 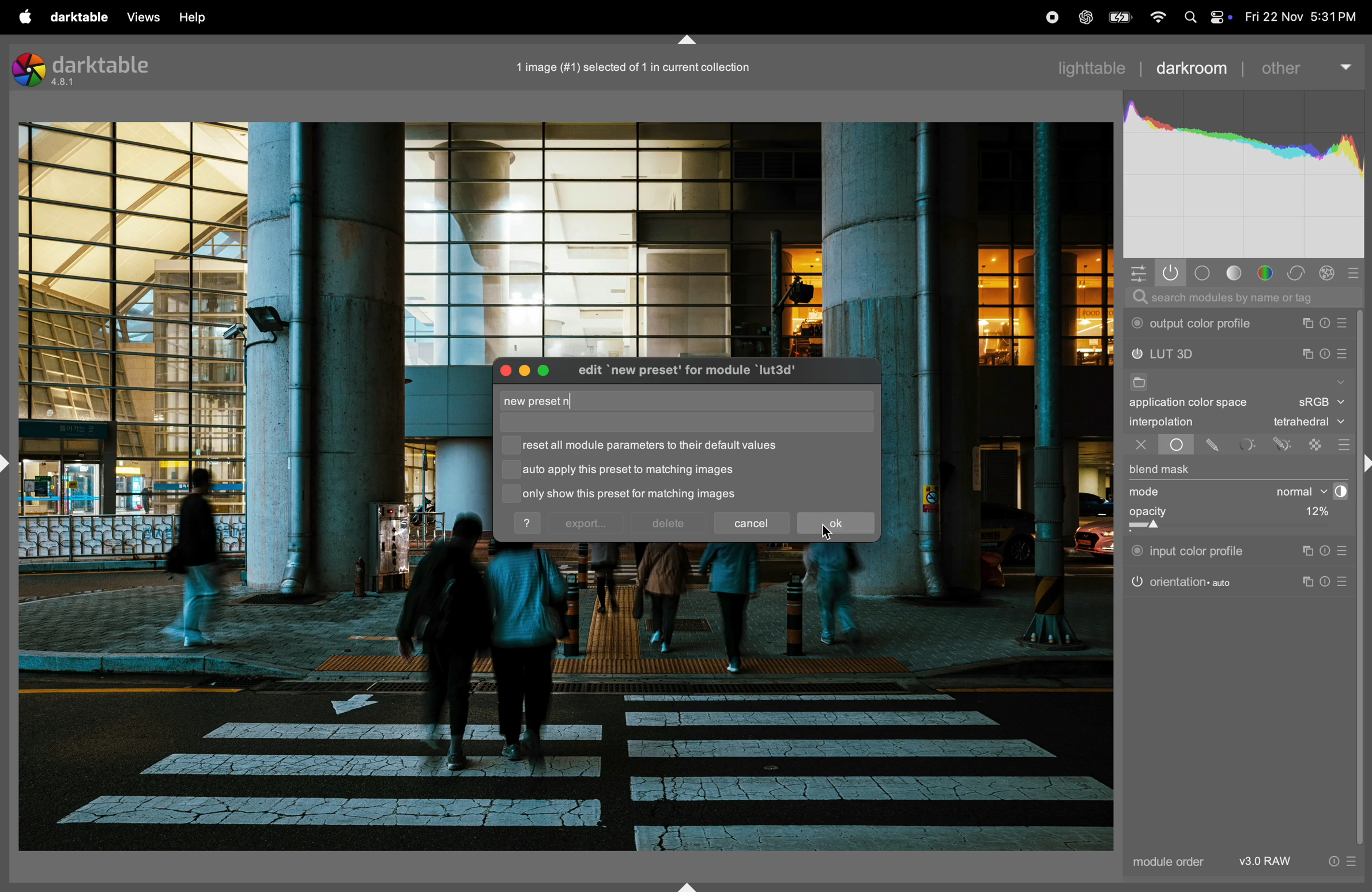 What do you see at coordinates (644, 495) in the screenshot?
I see `only show images` at bounding box center [644, 495].